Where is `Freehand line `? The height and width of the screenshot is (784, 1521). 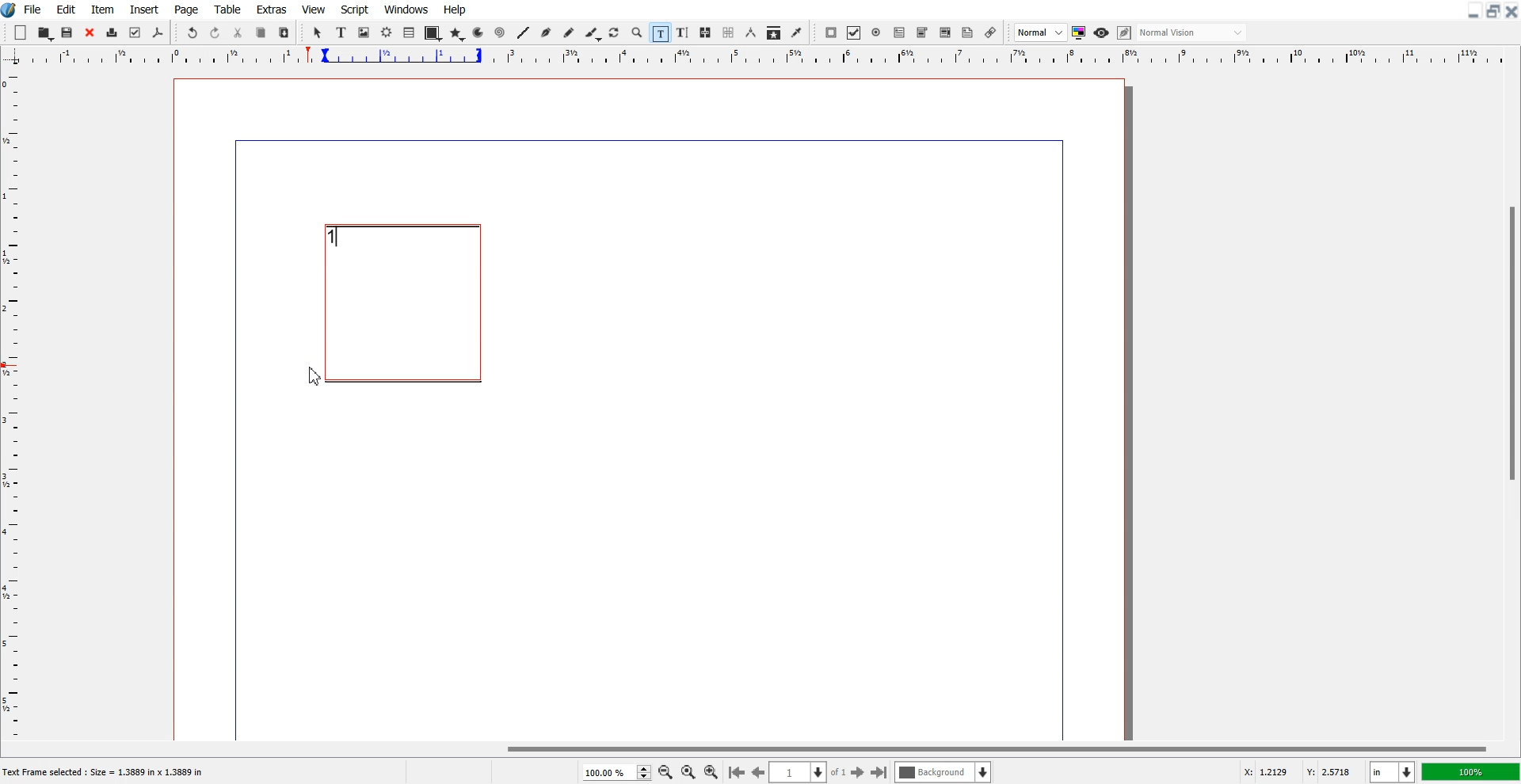 Freehand line  is located at coordinates (569, 33).